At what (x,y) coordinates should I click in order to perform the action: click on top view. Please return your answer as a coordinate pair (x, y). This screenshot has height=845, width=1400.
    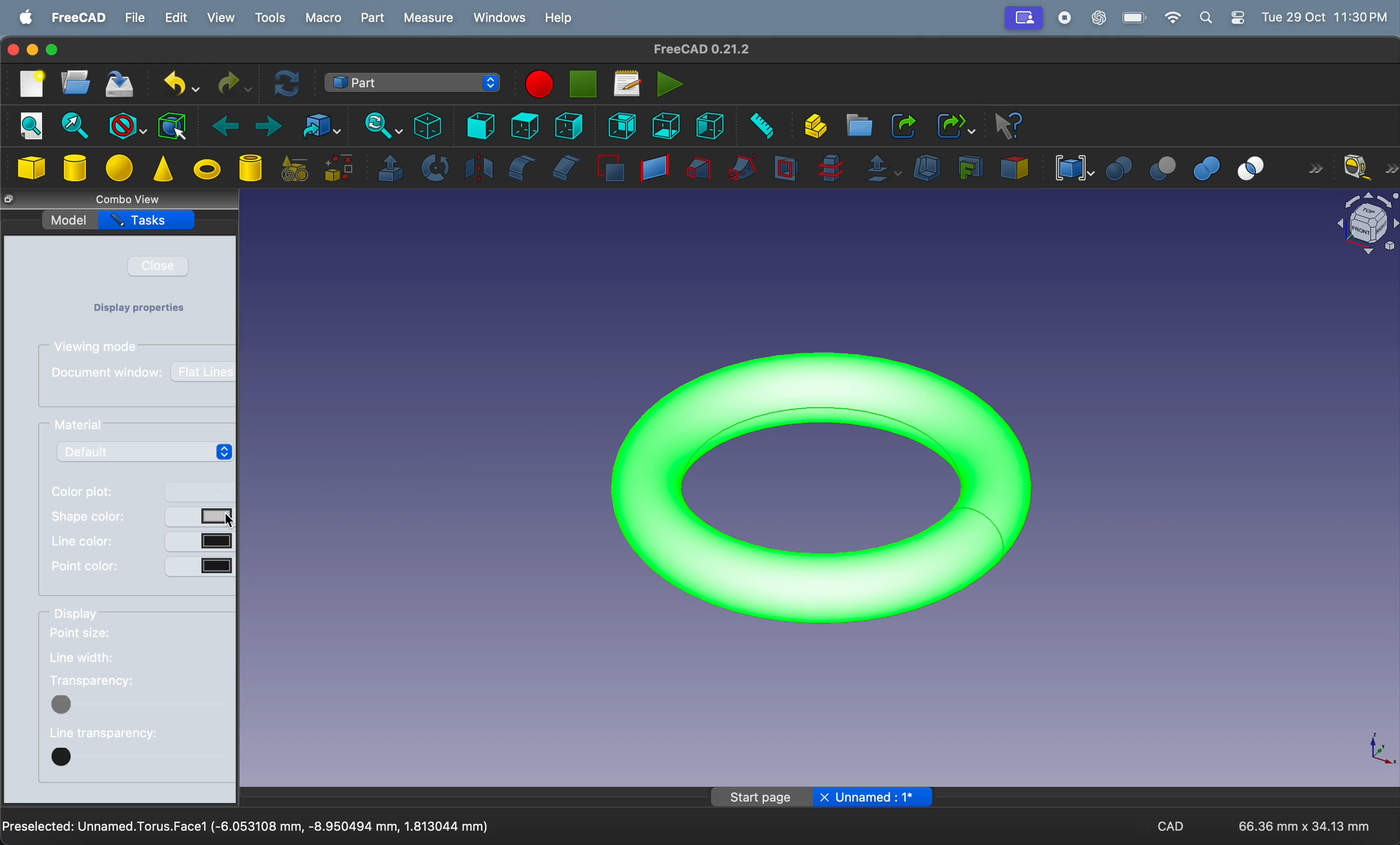
    Looking at the image, I should click on (526, 126).